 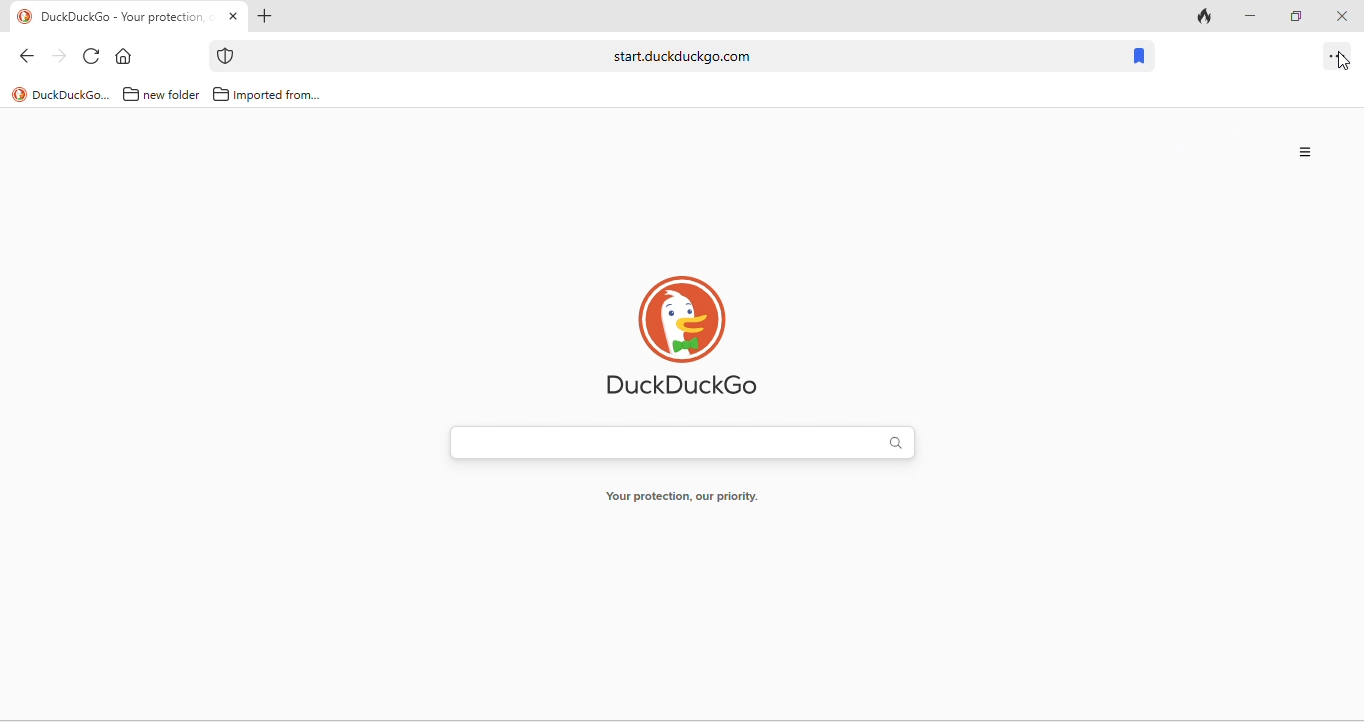 I want to click on logo, so click(x=25, y=17).